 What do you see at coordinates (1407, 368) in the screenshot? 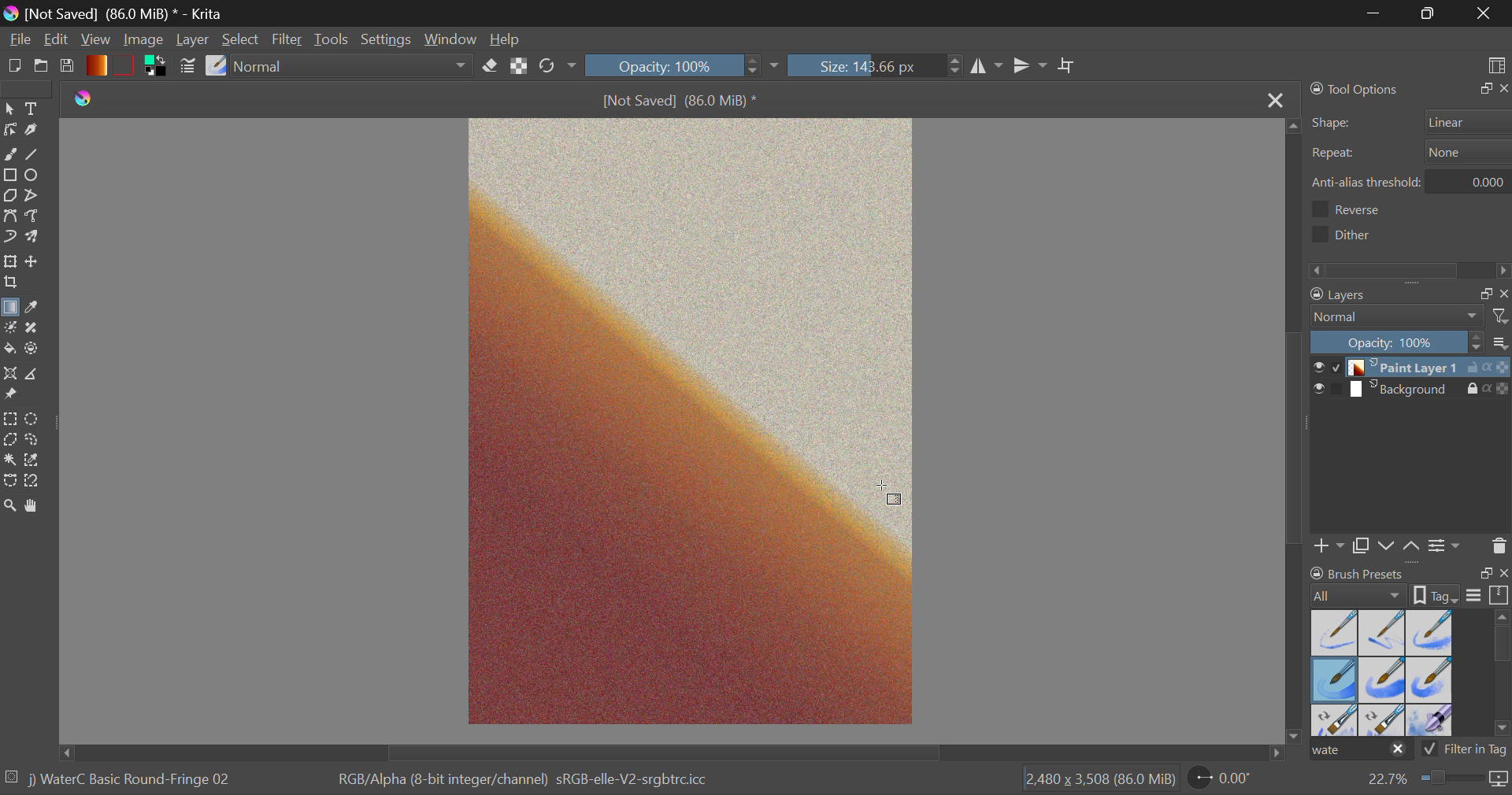
I see `paint layer 1` at bounding box center [1407, 368].